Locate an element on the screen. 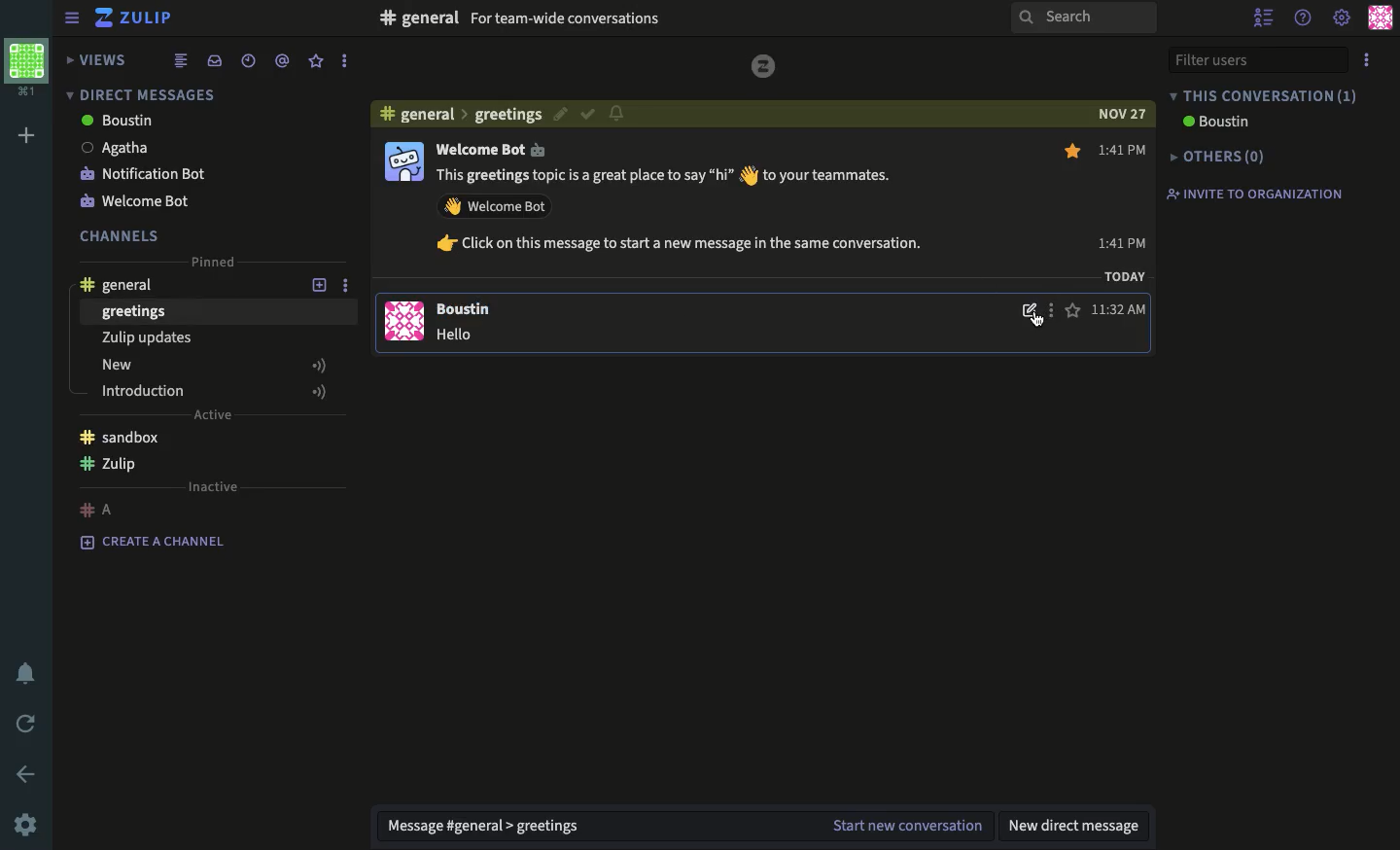 This screenshot has height=850, width=1400. Boustin is located at coordinates (470, 309).